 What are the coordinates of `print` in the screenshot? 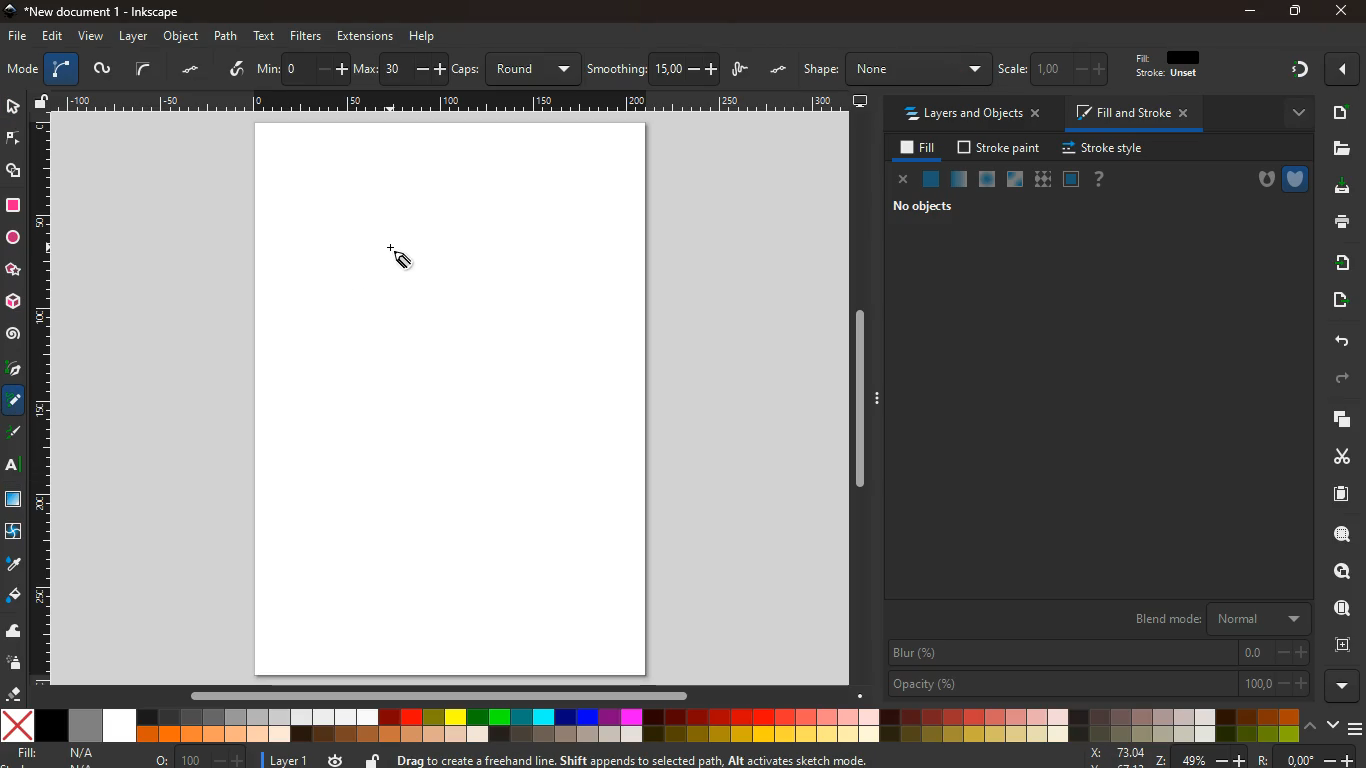 It's located at (1338, 221).